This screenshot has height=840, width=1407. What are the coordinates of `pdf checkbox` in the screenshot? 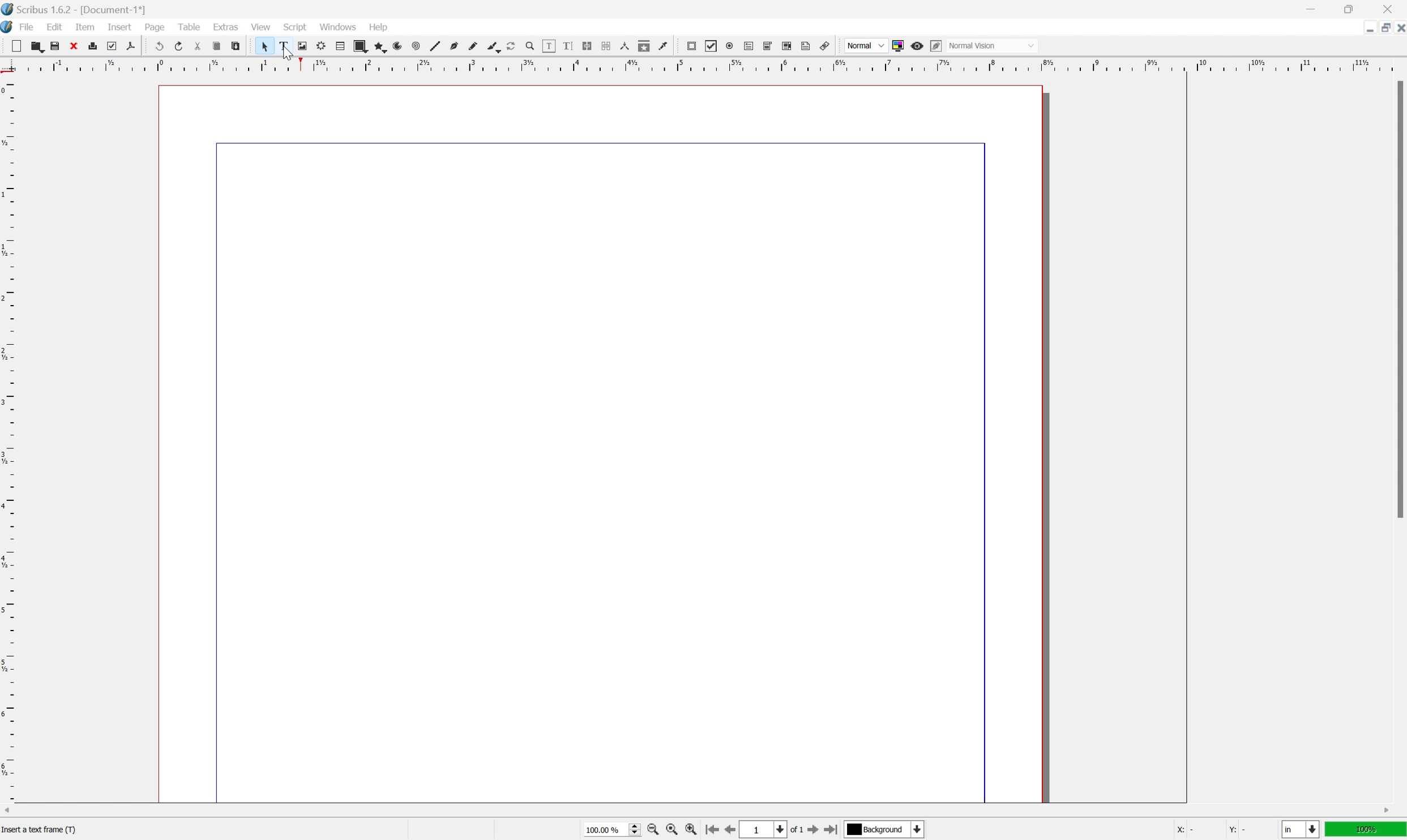 It's located at (712, 46).